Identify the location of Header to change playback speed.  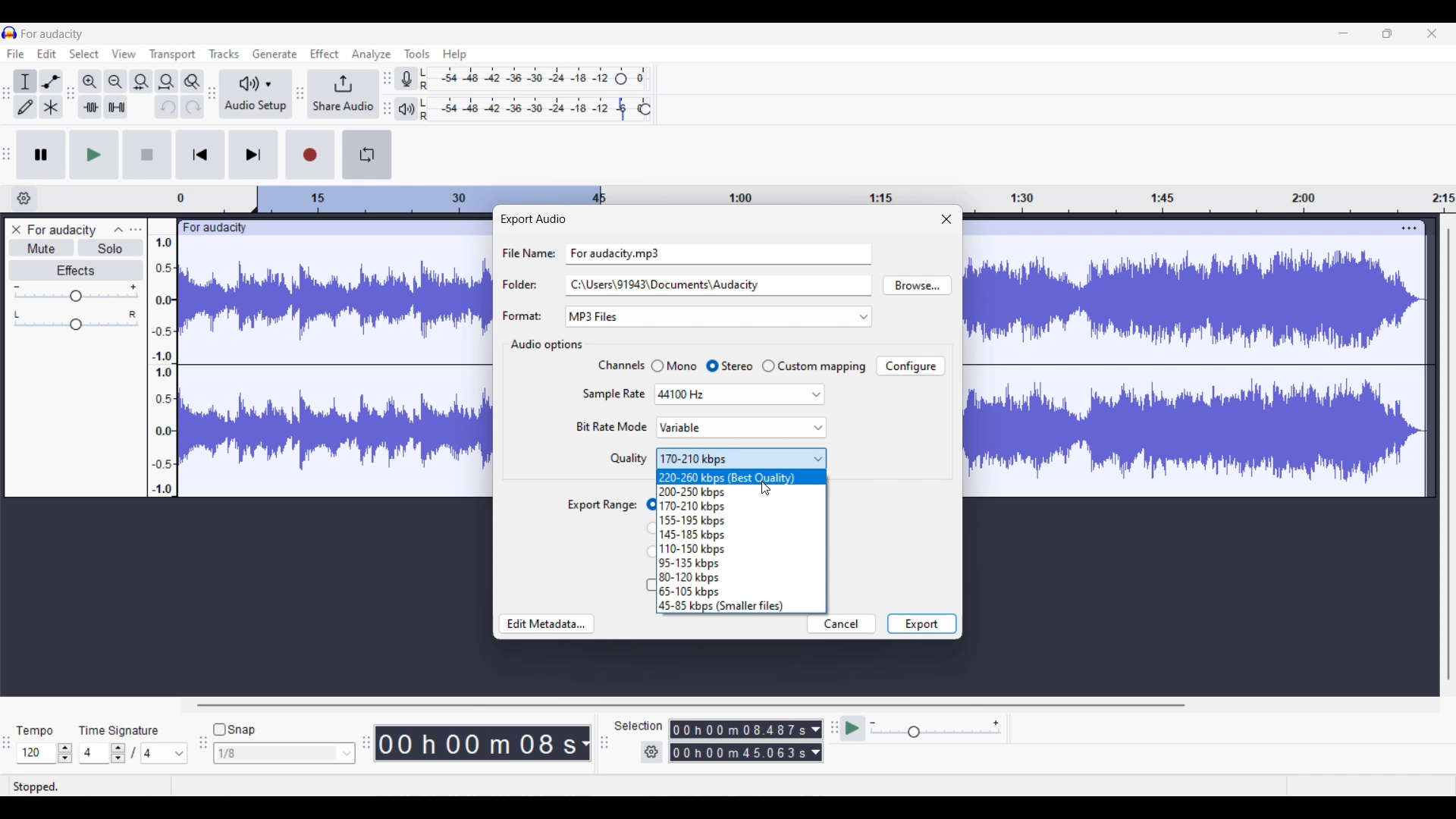
(645, 109).